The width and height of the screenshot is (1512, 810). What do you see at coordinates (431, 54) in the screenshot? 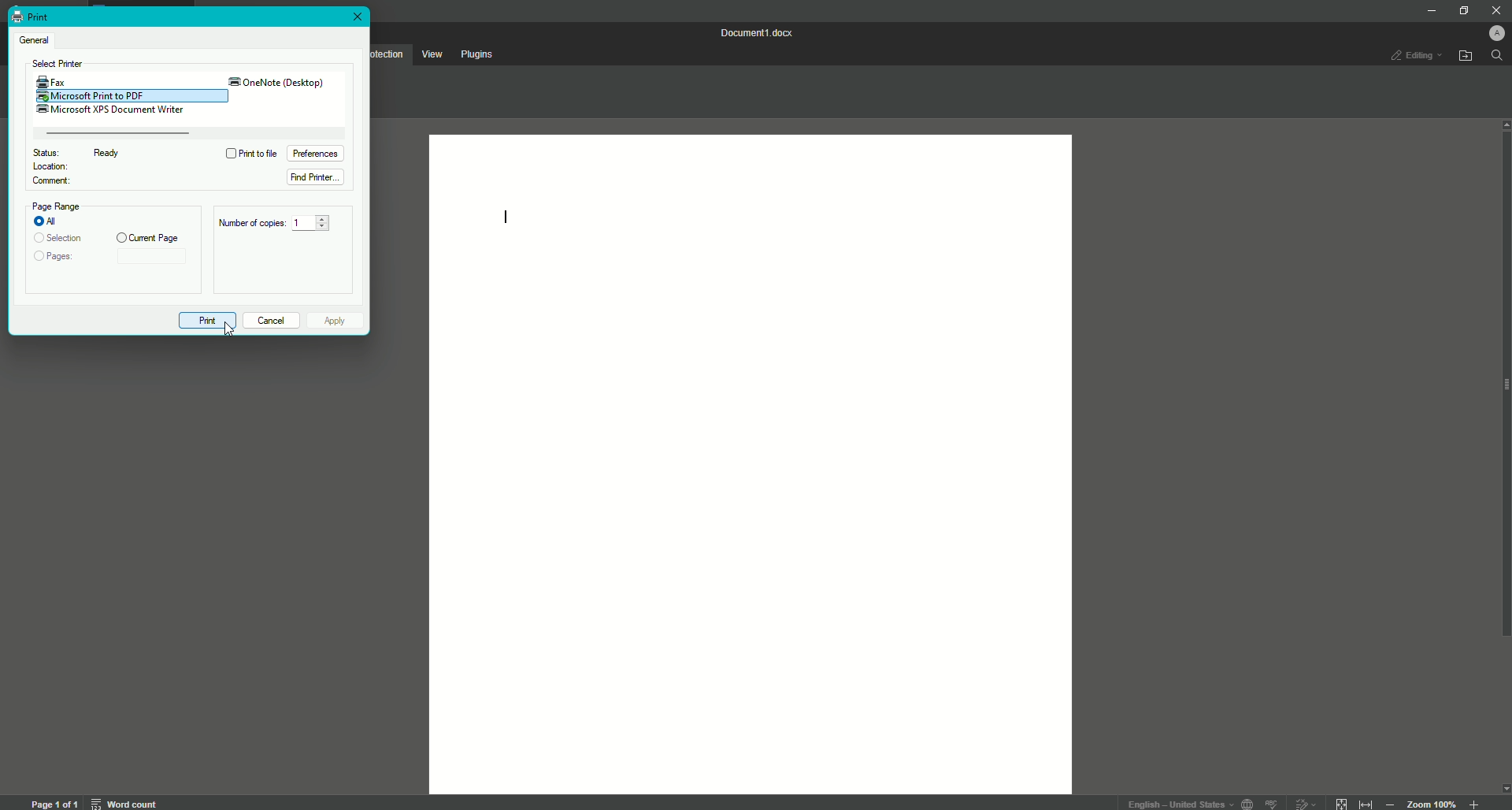
I see `View` at bounding box center [431, 54].